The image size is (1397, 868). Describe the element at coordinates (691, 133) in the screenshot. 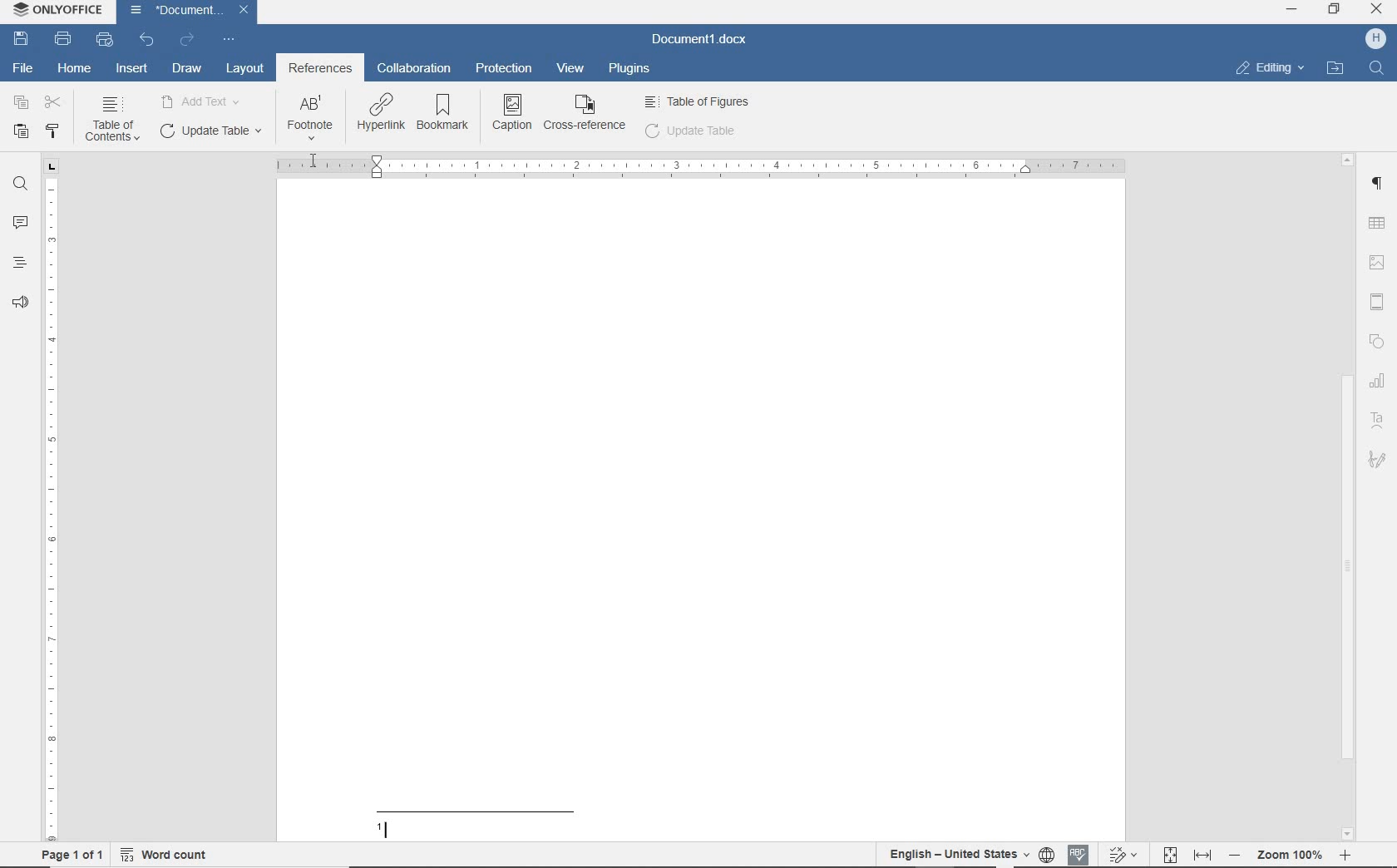

I see `update table` at that location.